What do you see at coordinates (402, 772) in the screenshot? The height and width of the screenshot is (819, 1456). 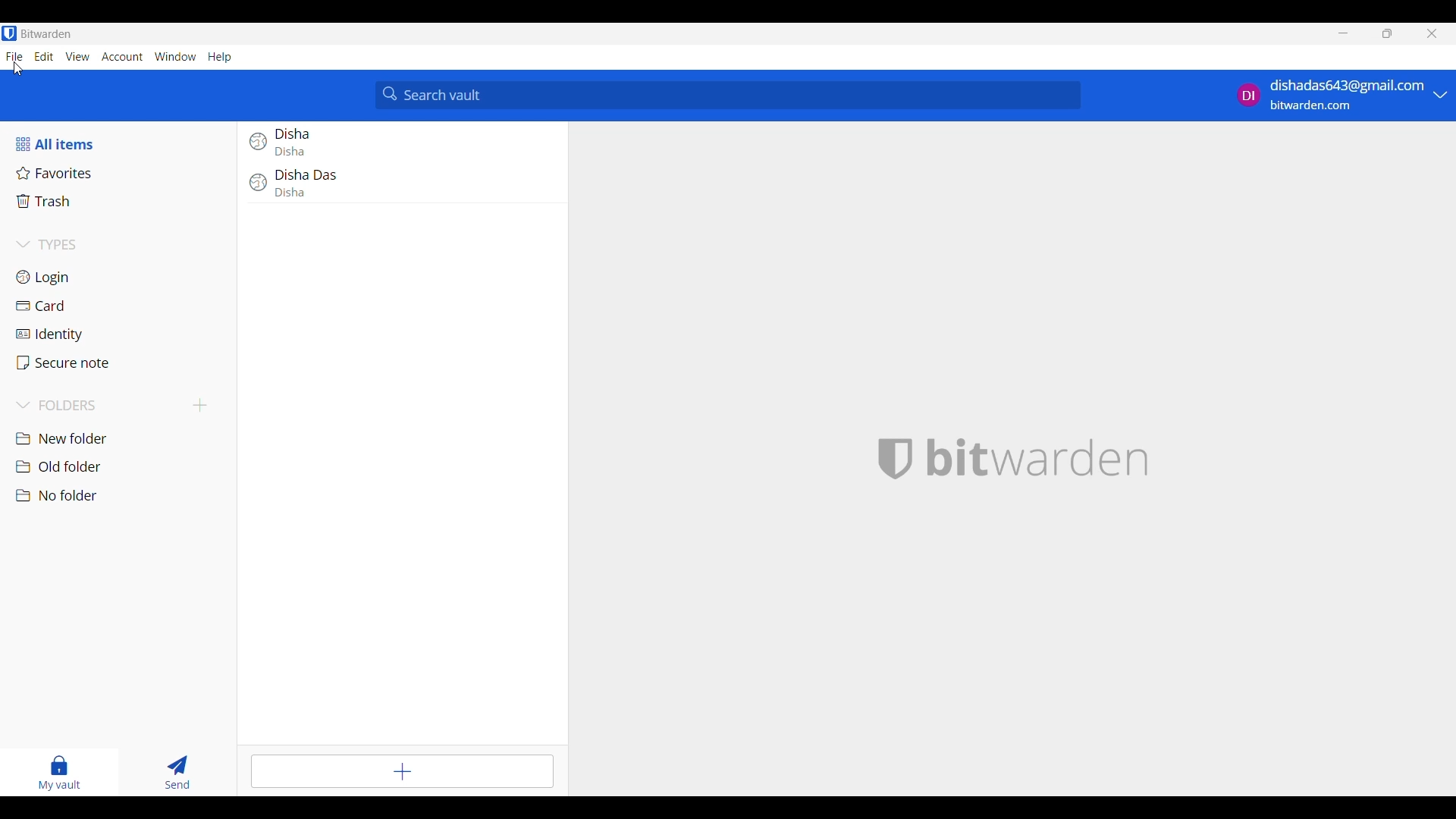 I see `Add item` at bounding box center [402, 772].